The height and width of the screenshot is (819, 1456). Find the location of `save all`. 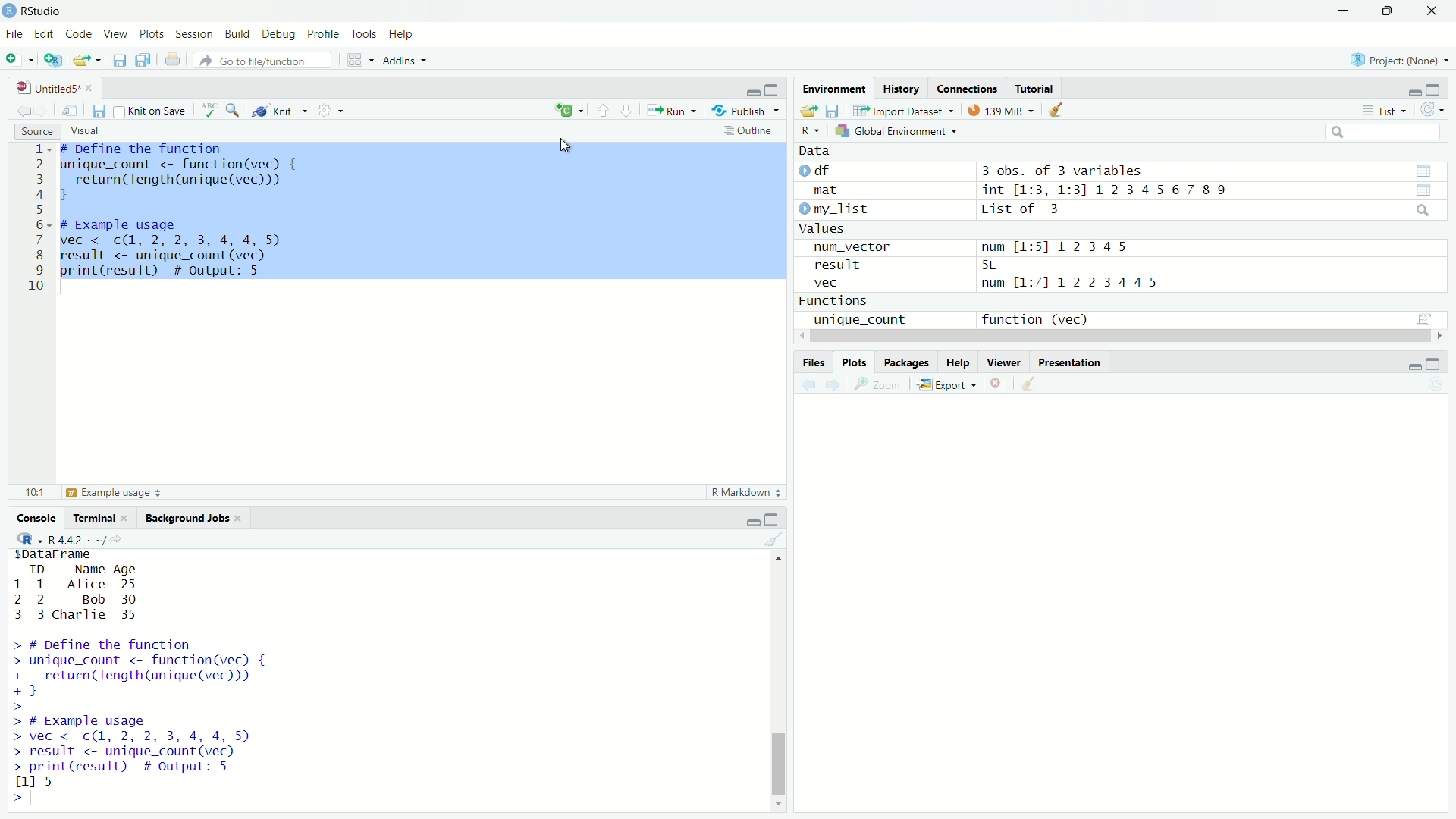

save all is located at coordinates (144, 60).